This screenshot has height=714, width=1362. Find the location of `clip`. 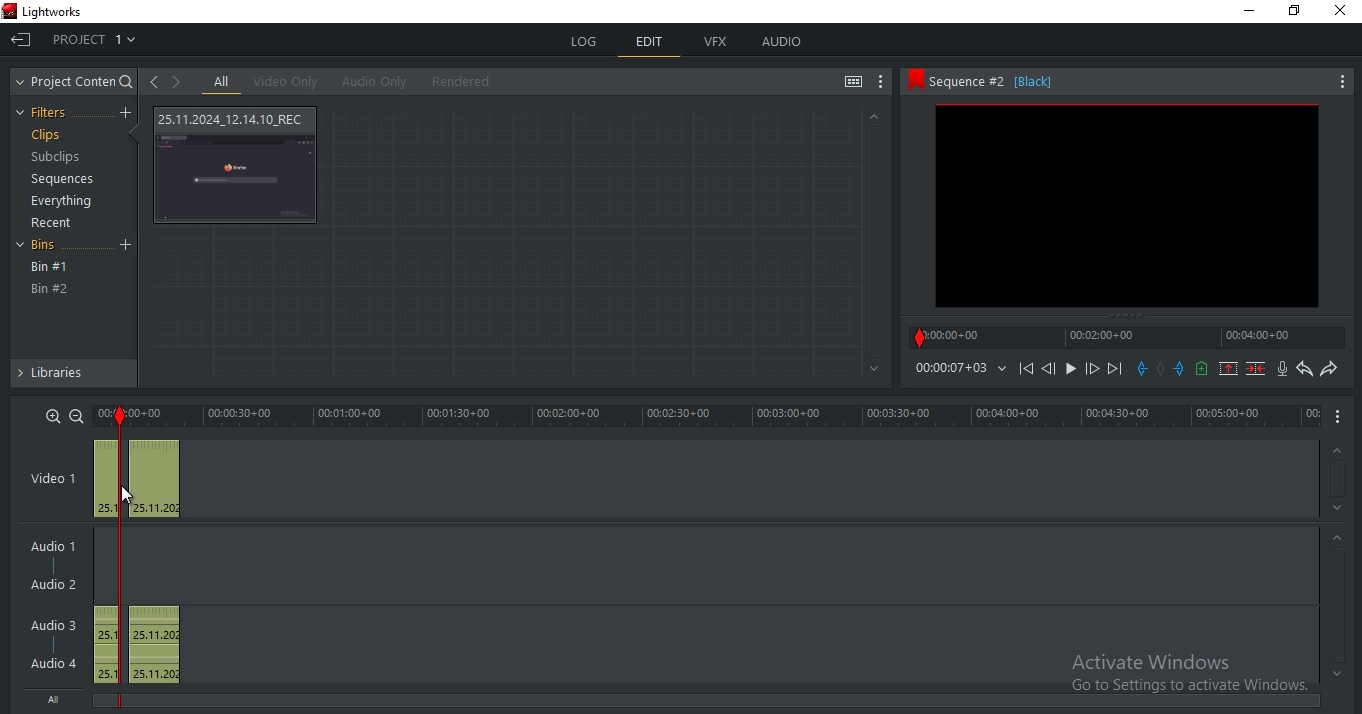

clip is located at coordinates (1126, 206).